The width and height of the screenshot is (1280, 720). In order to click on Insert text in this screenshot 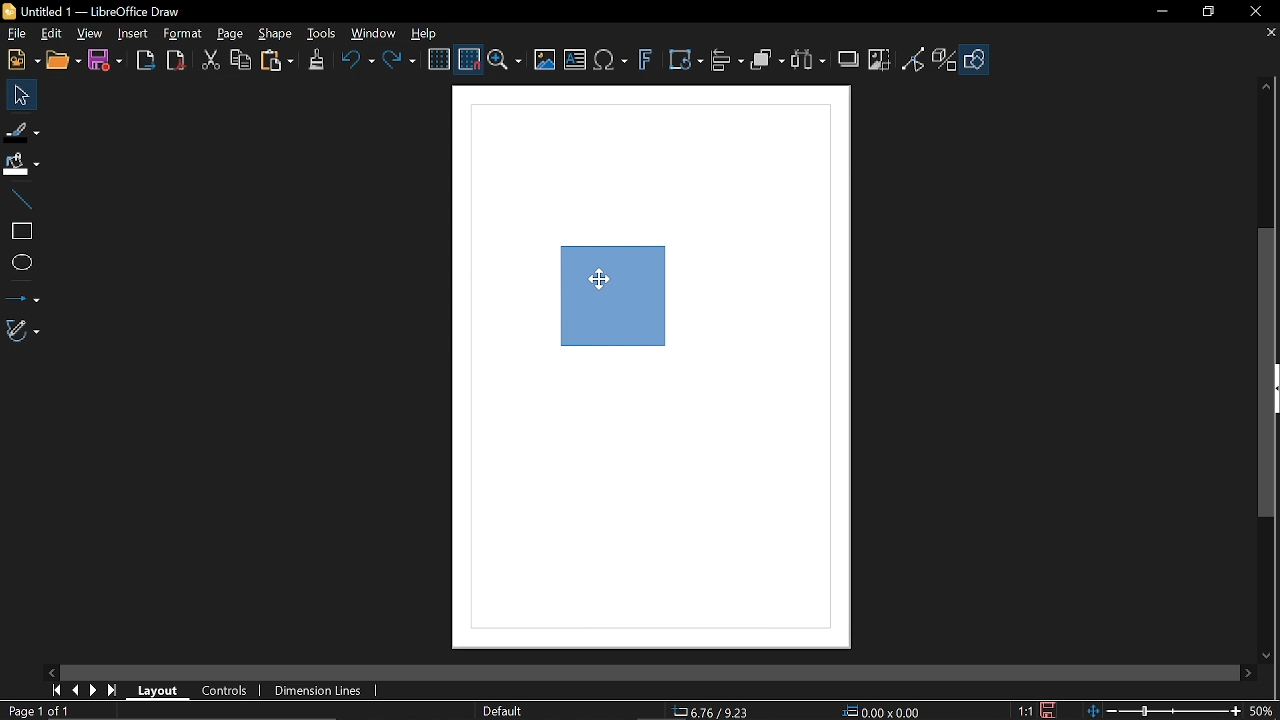, I will do `click(574, 61)`.